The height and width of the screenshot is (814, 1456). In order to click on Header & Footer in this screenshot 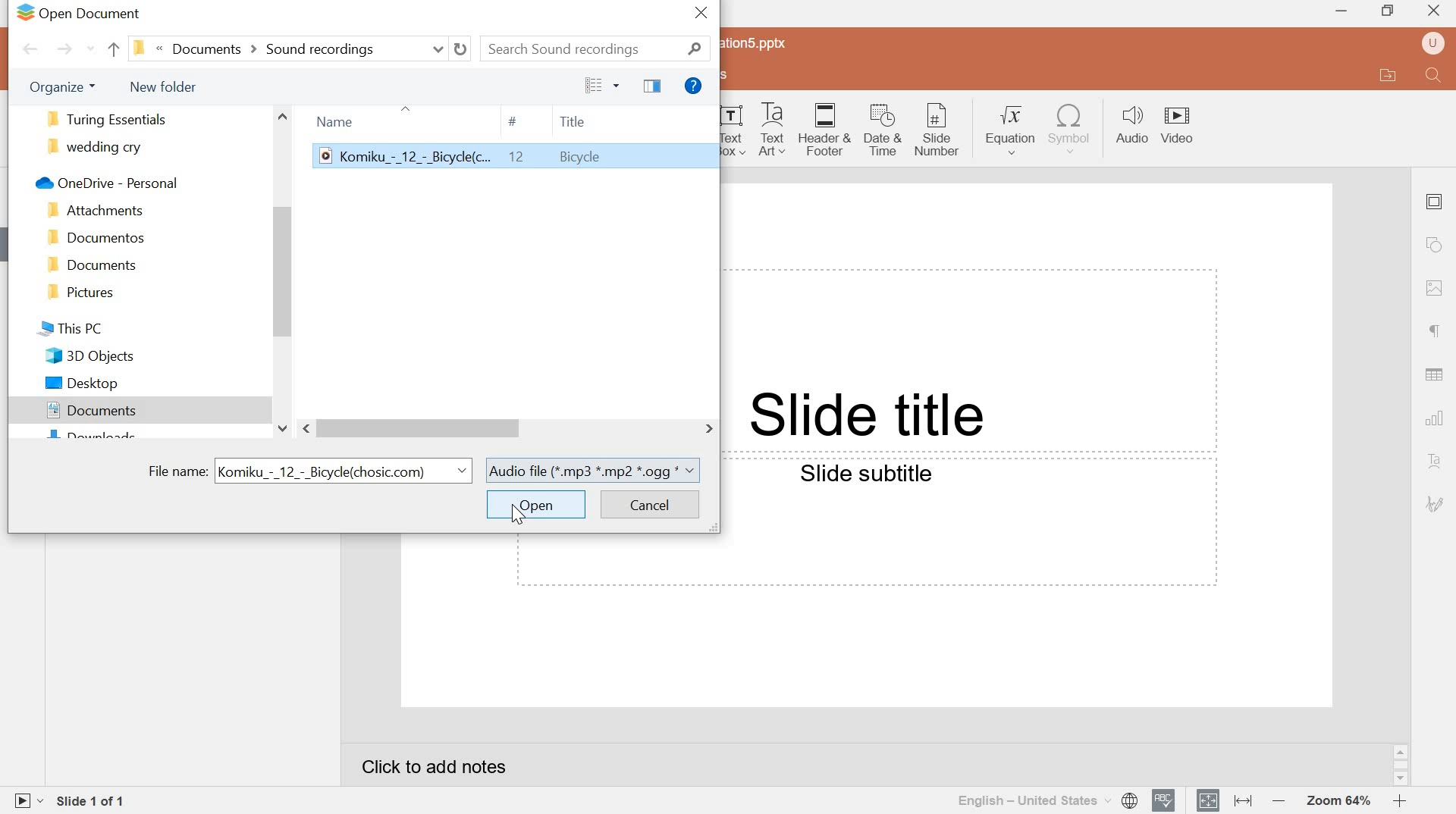, I will do `click(827, 130)`.